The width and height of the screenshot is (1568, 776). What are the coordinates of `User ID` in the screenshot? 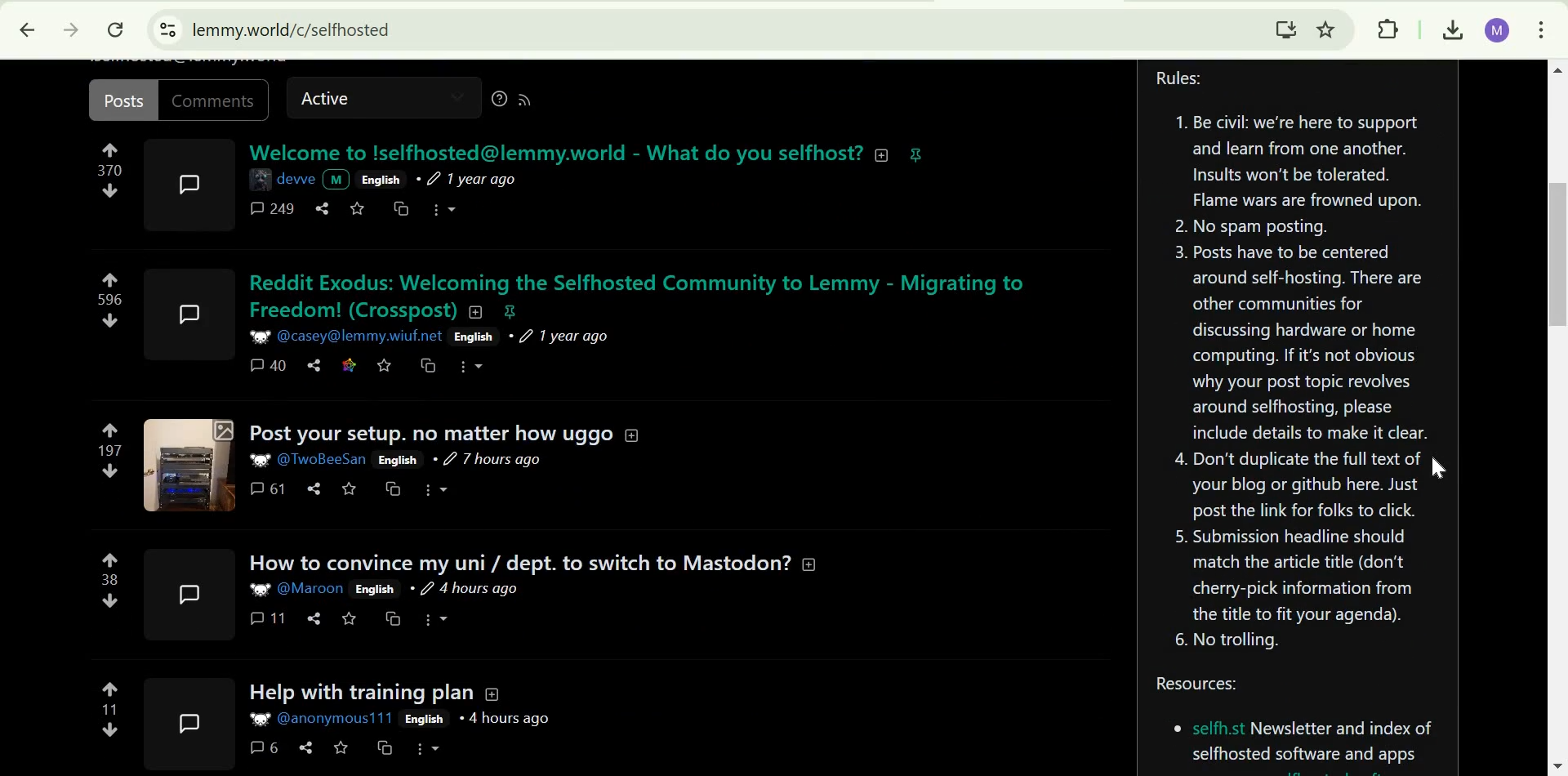 It's located at (326, 457).